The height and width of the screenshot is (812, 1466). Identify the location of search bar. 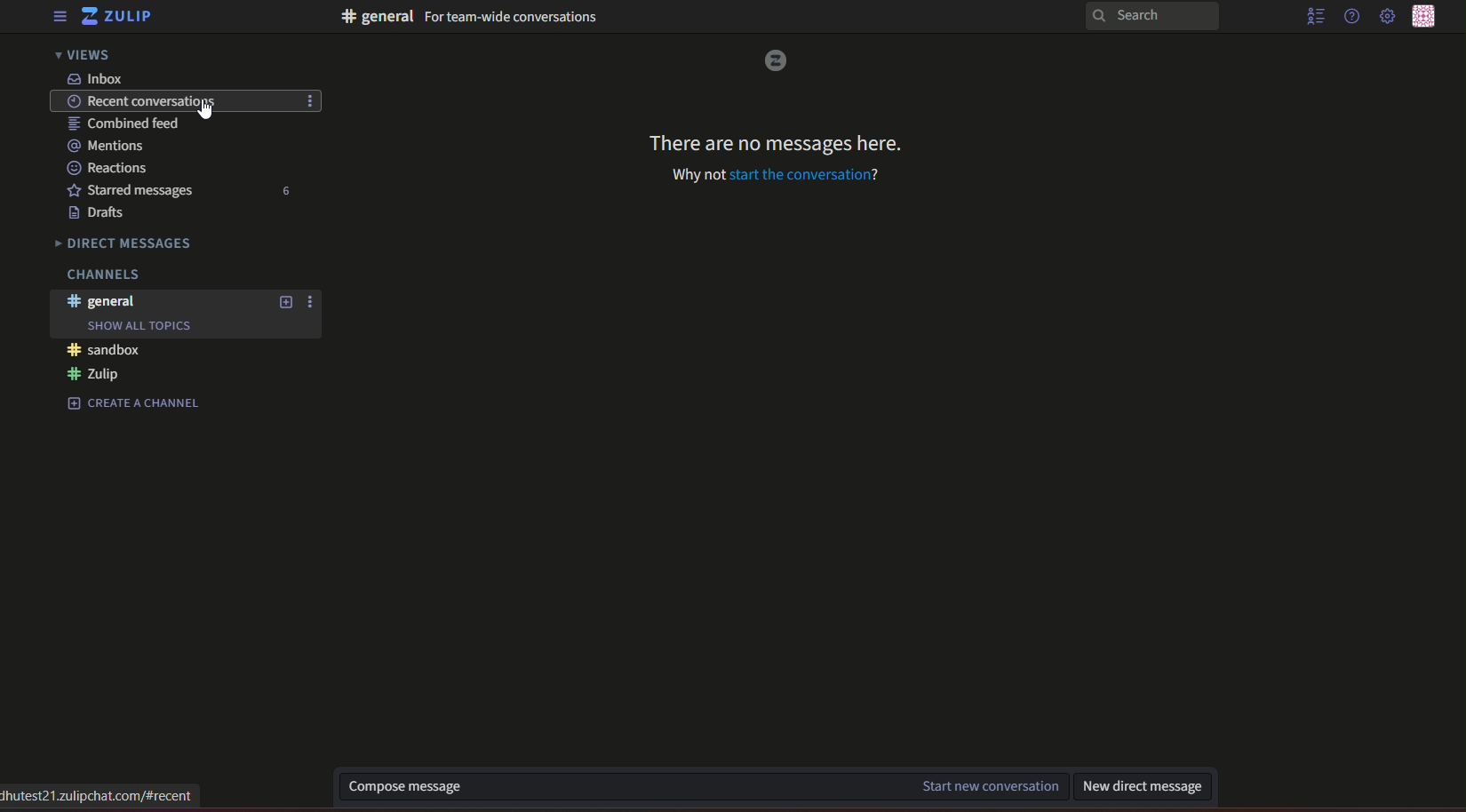
(1149, 15).